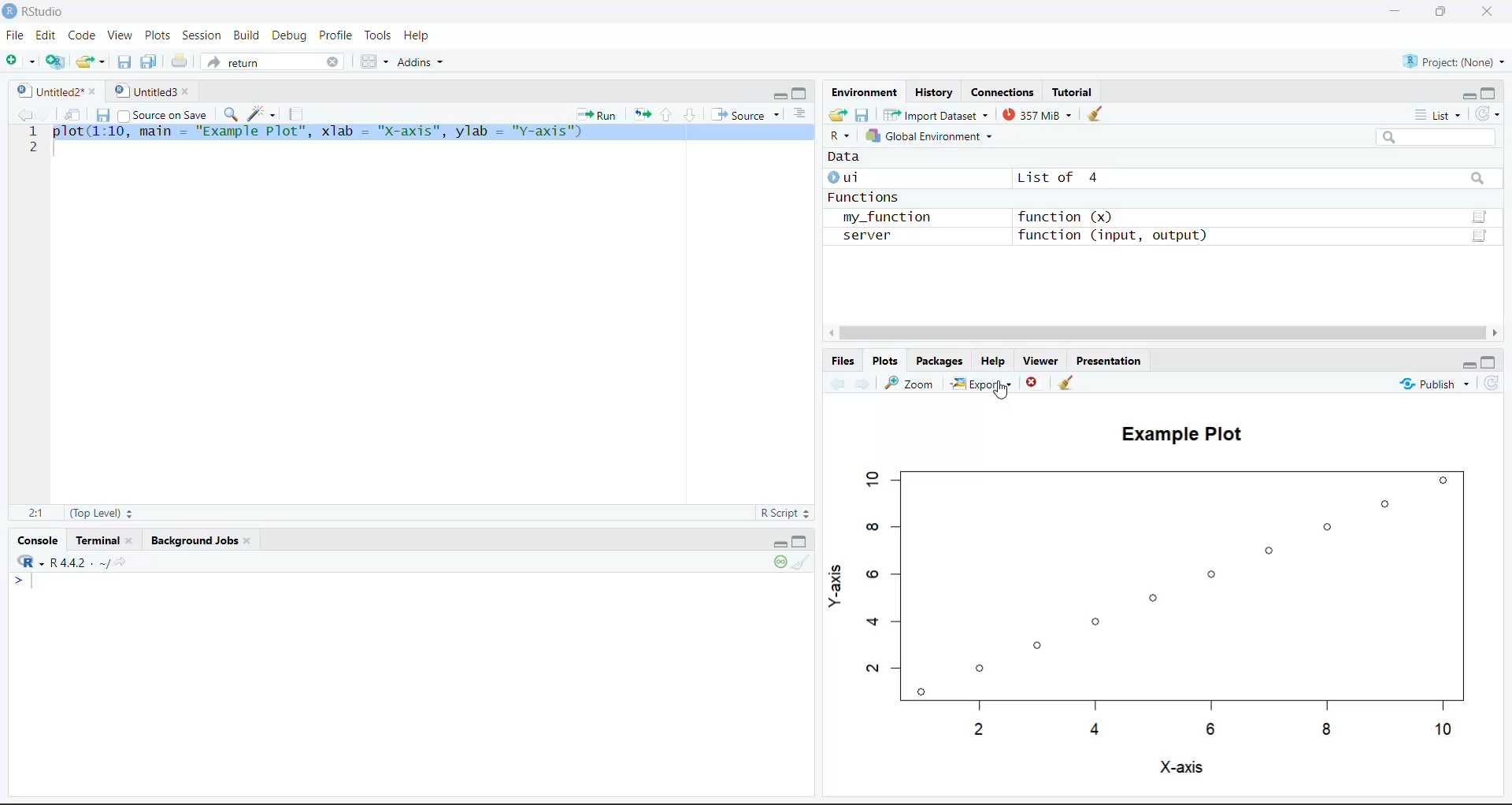 The image size is (1512, 805). What do you see at coordinates (1488, 113) in the screenshot?
I see `Refresh the list of objects in the environment` at bounding box center [1488, 113].